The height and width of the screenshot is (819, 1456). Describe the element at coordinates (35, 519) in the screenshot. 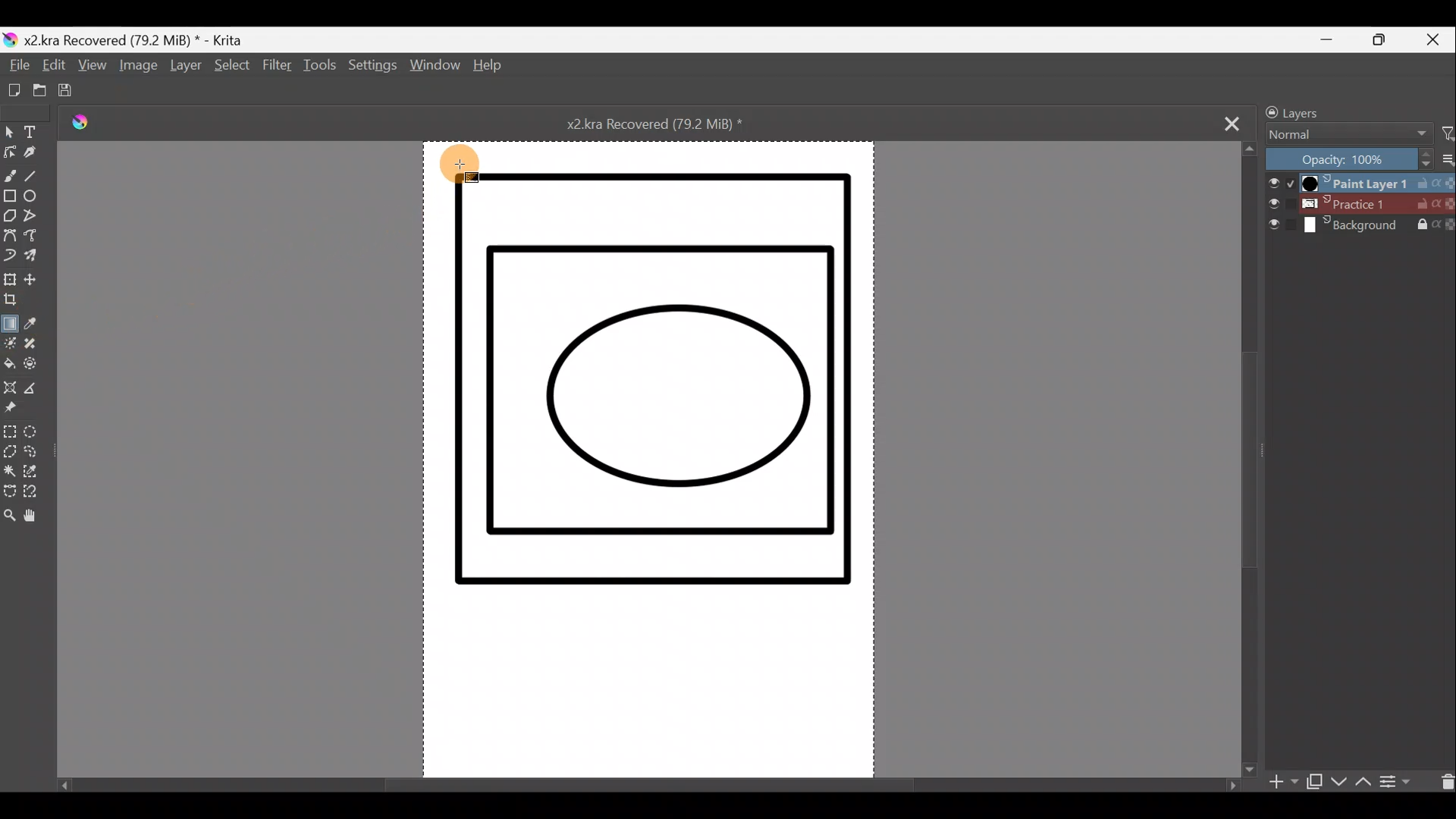

I see `Pan tool` at that location.